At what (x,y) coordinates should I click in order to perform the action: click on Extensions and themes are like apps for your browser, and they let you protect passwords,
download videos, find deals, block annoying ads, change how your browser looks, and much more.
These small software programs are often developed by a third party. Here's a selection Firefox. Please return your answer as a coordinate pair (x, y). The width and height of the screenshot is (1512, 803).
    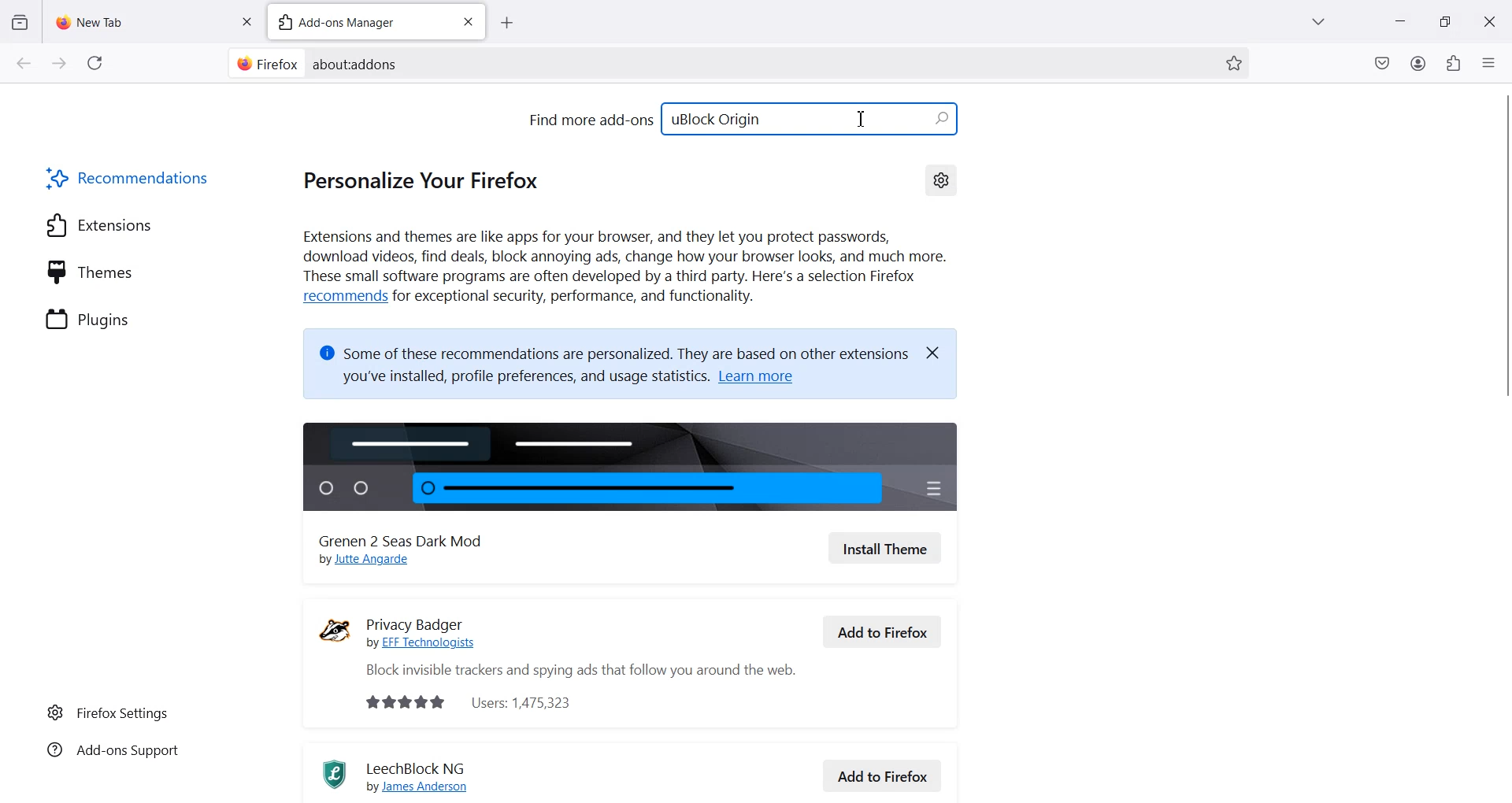
    Looking at the image, I should click on (624, 257).